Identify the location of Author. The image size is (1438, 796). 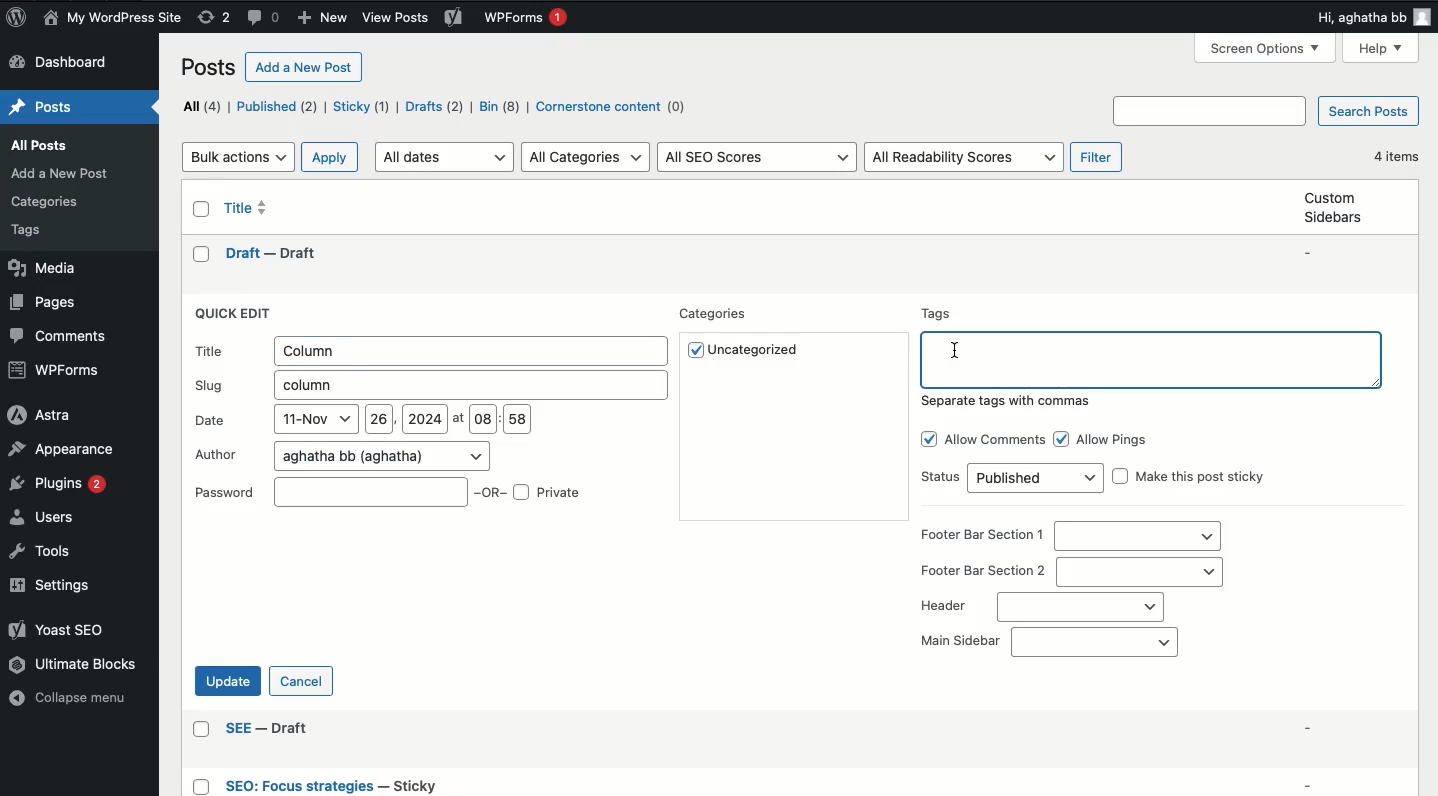
(341, 456).